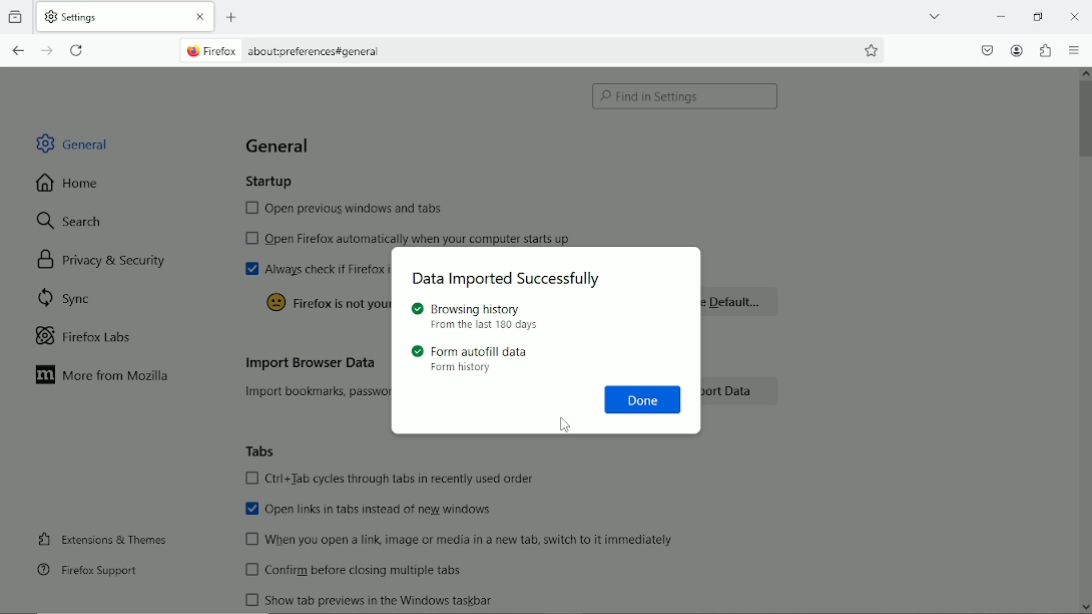 Image resolution: width=1092 pixels, height=614 pixels. Describe the element at coordinates (209, 51) in the screenshot. I see `firefox` at that location.